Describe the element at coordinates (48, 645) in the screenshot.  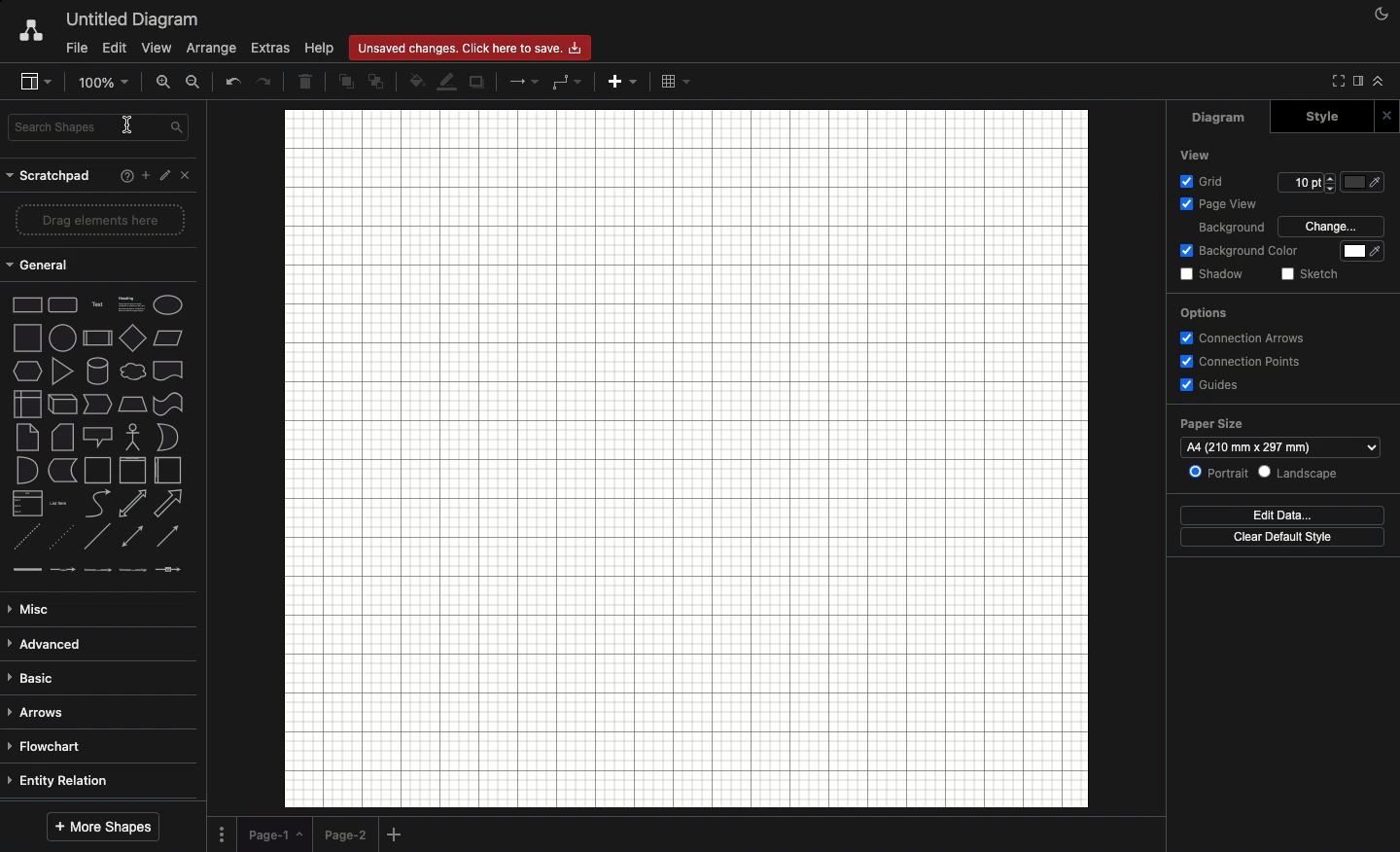
I see `Advanced` at that location.